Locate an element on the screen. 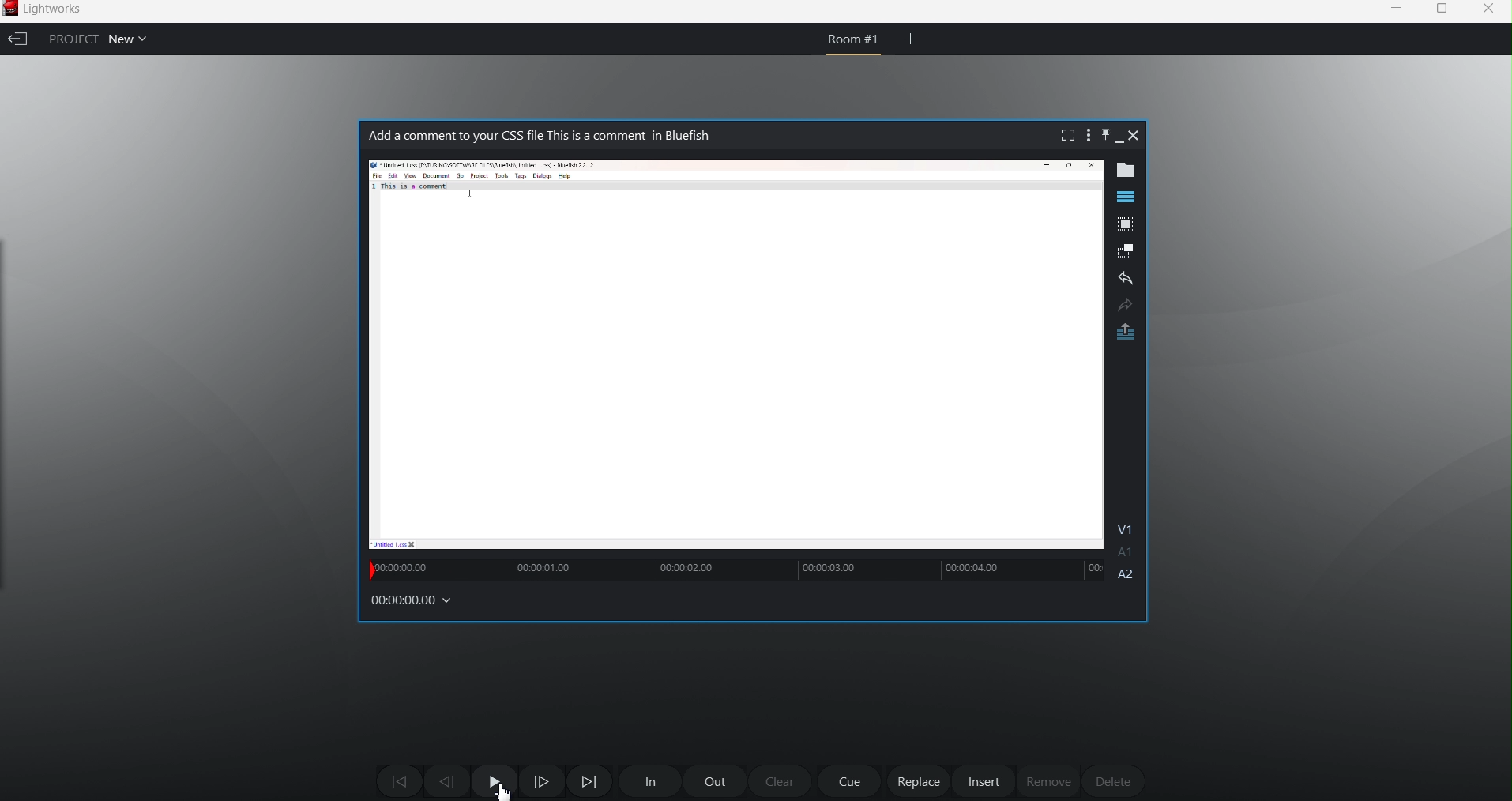 Image resolution: width=1512 pixels, height=801 pixels. exit is located at coordinates (17, 39).